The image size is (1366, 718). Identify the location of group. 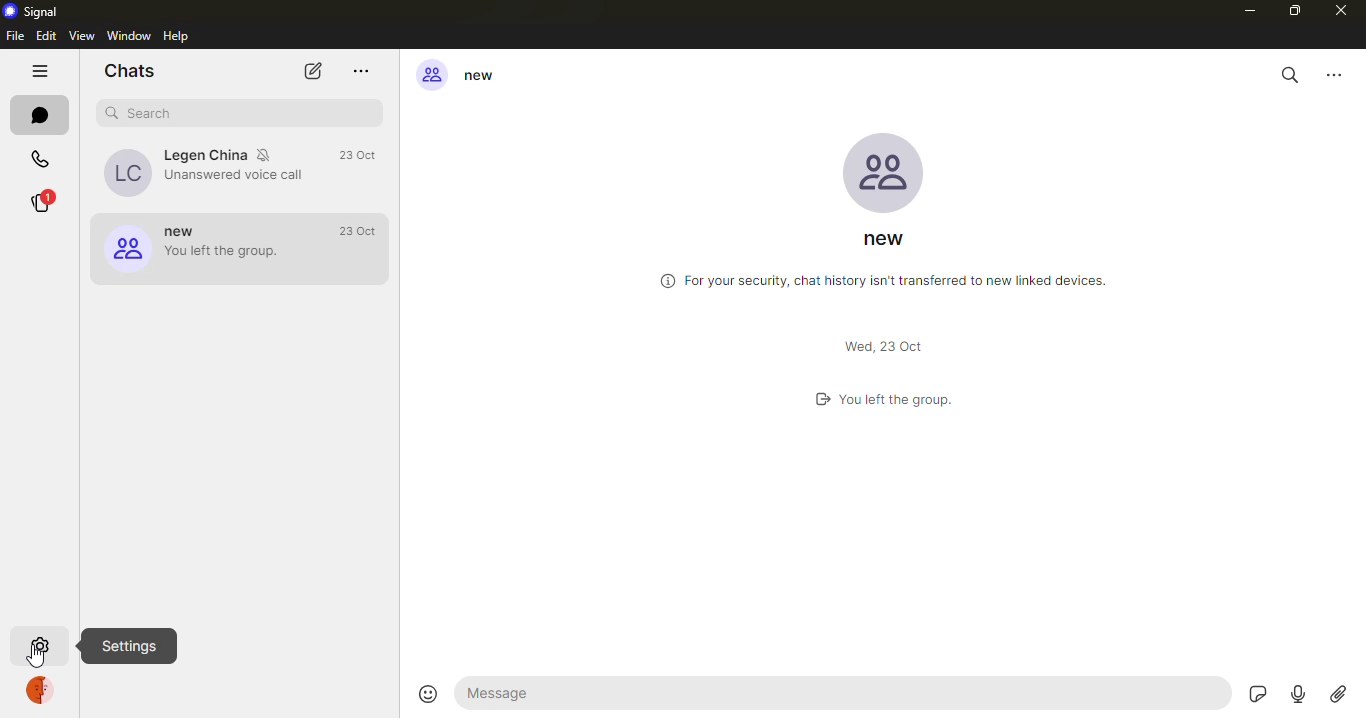
(463, 72).